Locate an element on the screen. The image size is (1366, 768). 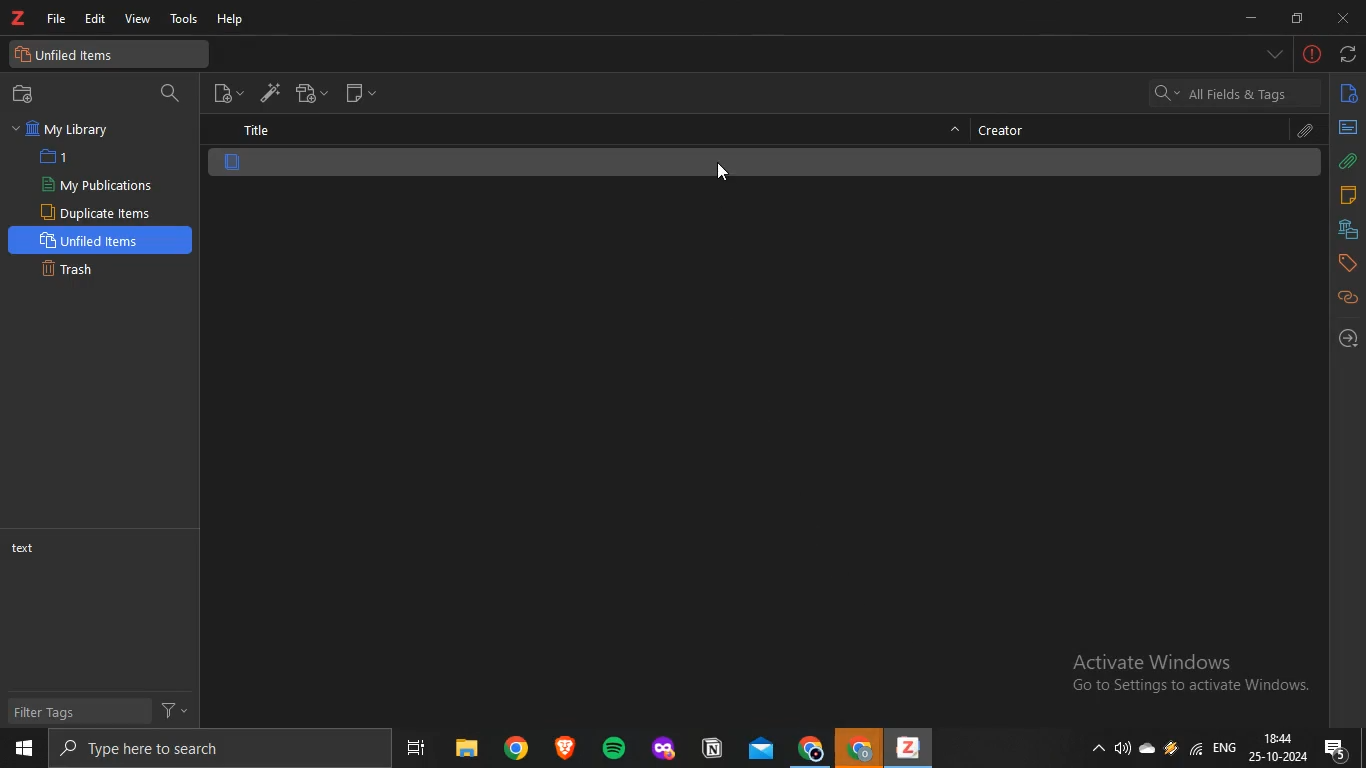
filter tags is located at coordinates (101, 709).